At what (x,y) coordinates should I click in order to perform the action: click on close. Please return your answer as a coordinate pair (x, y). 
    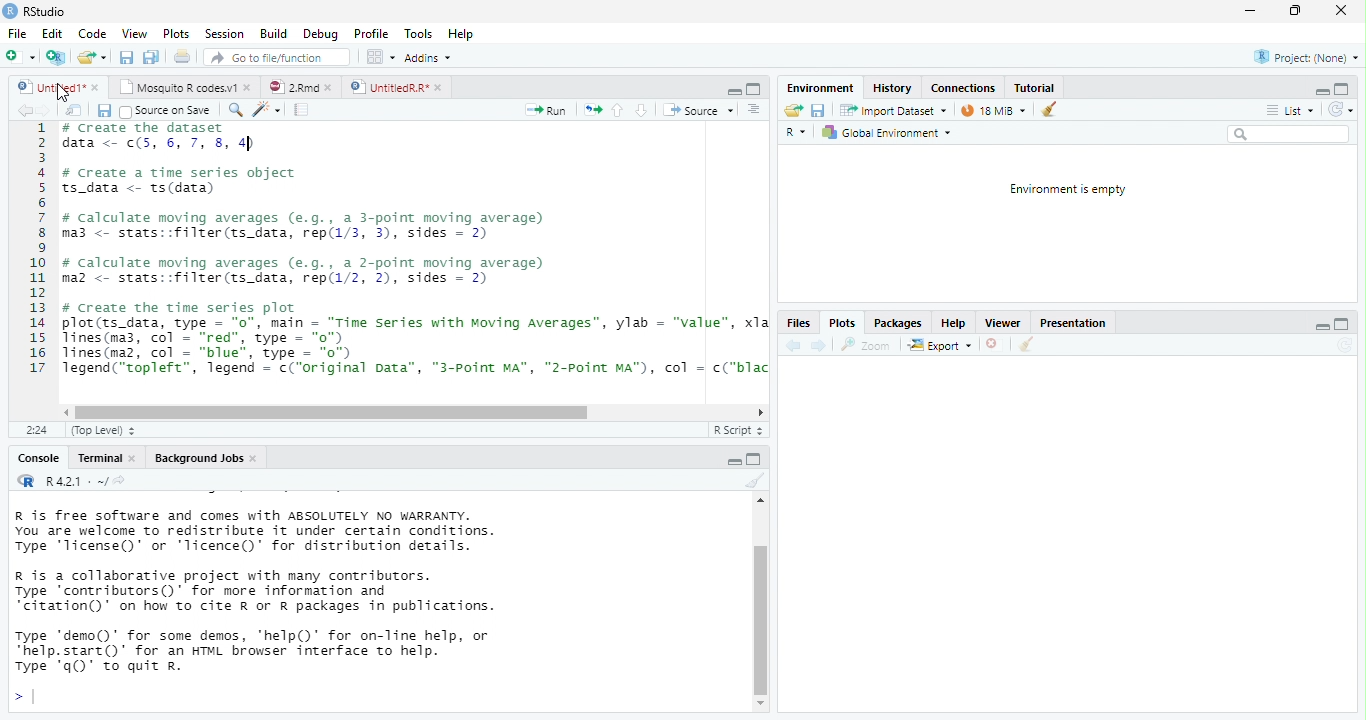
    Looking at the image, I should click on (441, 88).